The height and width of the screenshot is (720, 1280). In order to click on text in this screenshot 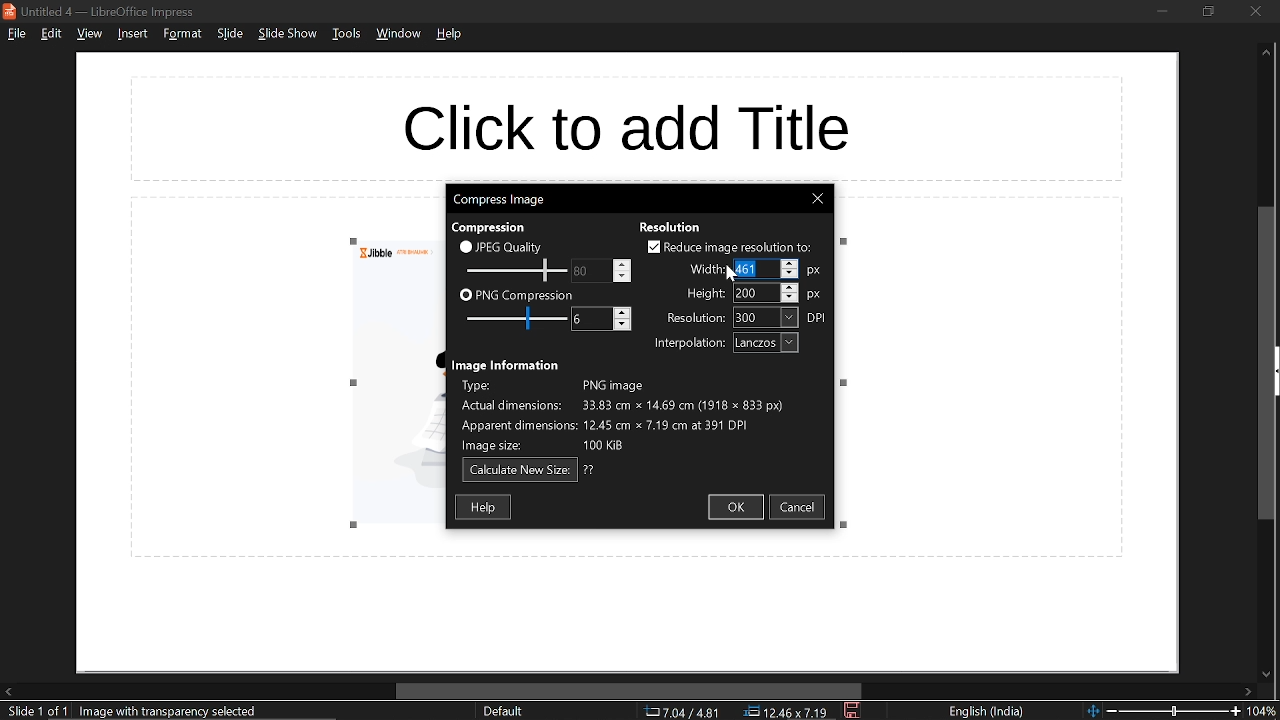, I will do `click(494, 226)`.